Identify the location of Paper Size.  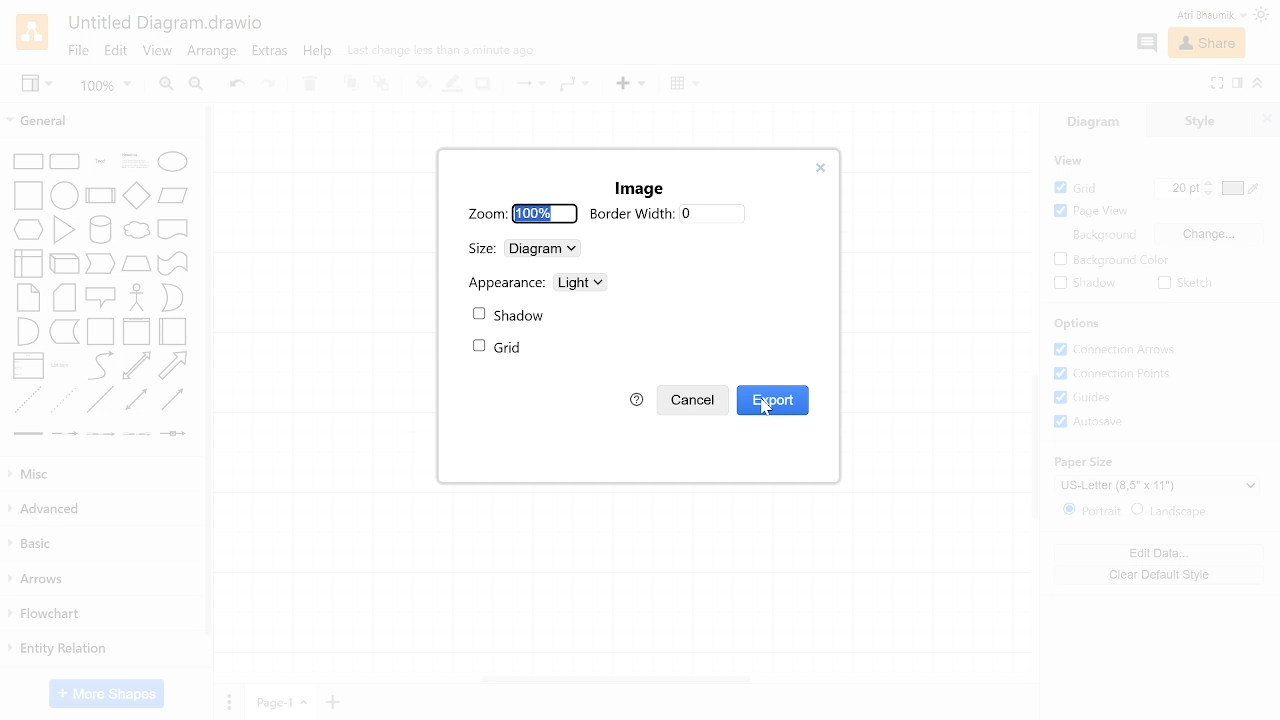
(1083, 460).